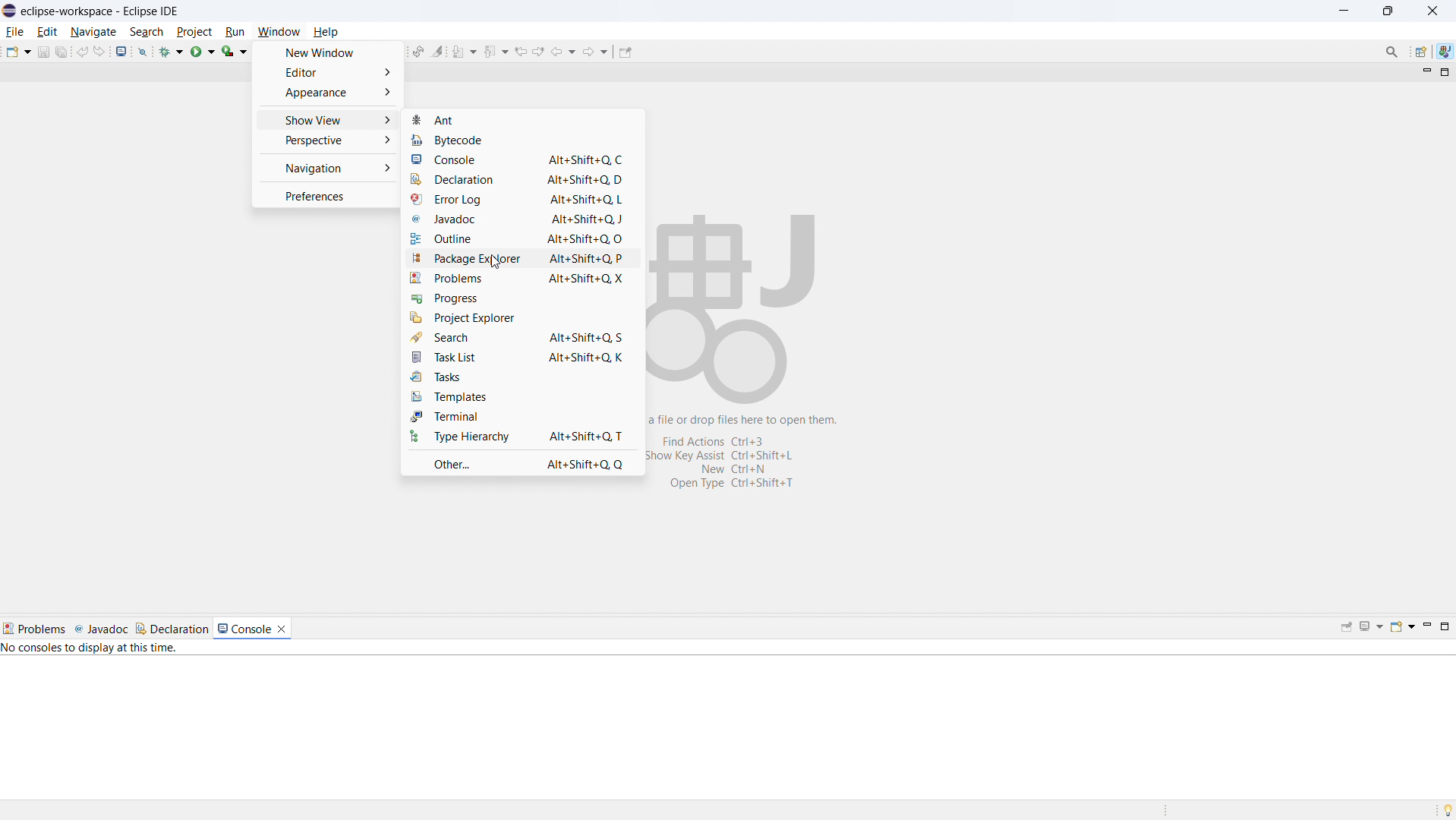 This screenshot has width=1456, height=820. I want to click on preferences, so click(328, 195).